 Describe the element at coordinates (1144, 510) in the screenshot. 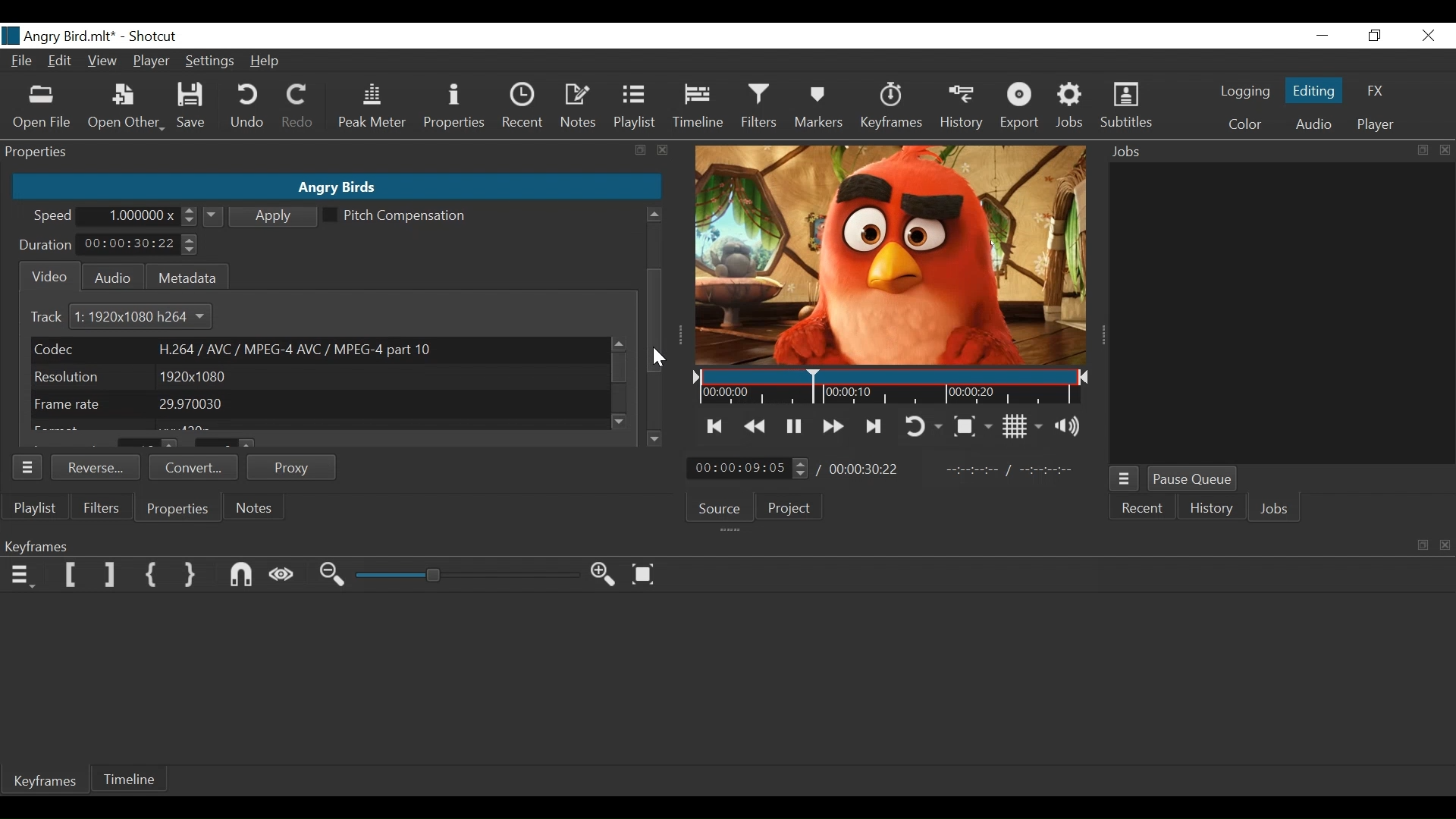

I see `Recent` at that location.